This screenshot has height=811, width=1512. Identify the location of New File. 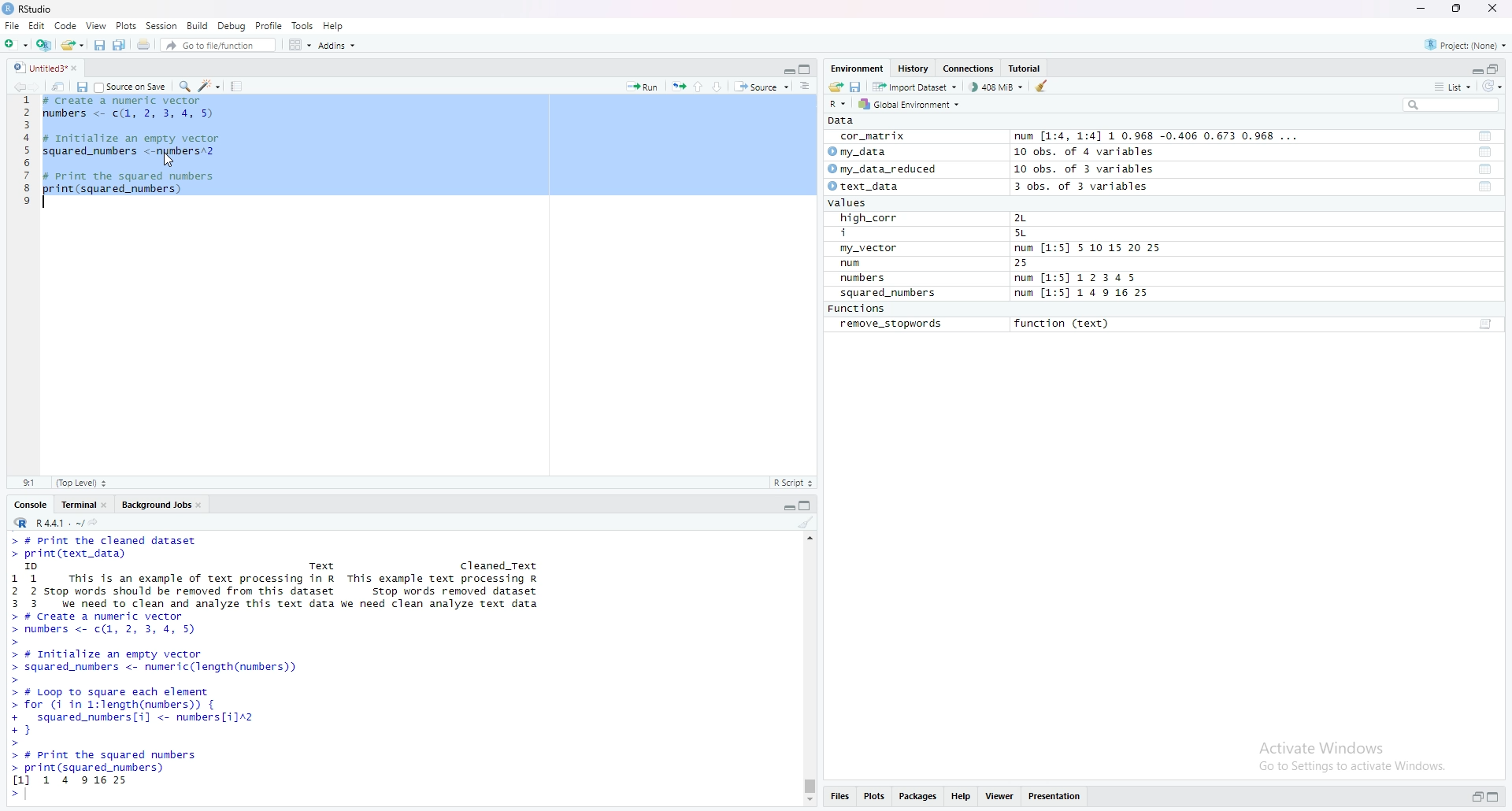
(15, 43).